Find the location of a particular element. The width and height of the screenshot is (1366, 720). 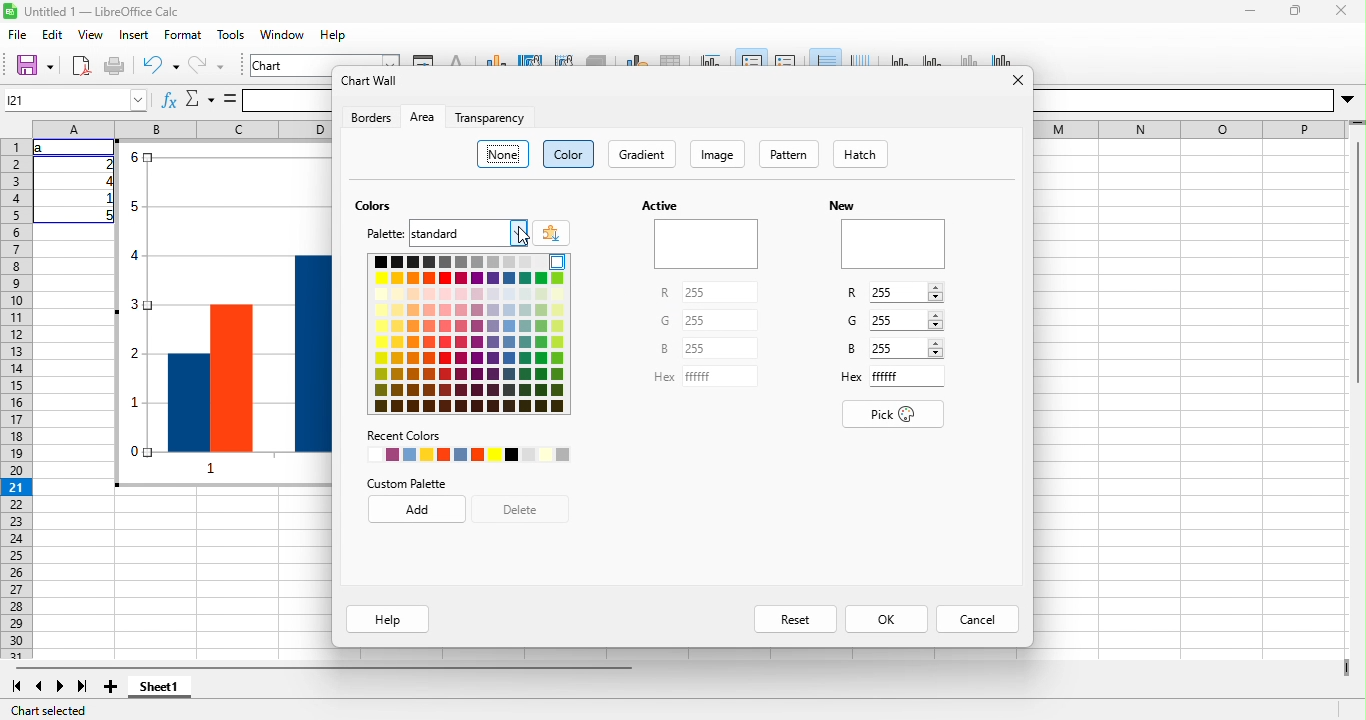

Preview of active is located at coordinates (706, 244).